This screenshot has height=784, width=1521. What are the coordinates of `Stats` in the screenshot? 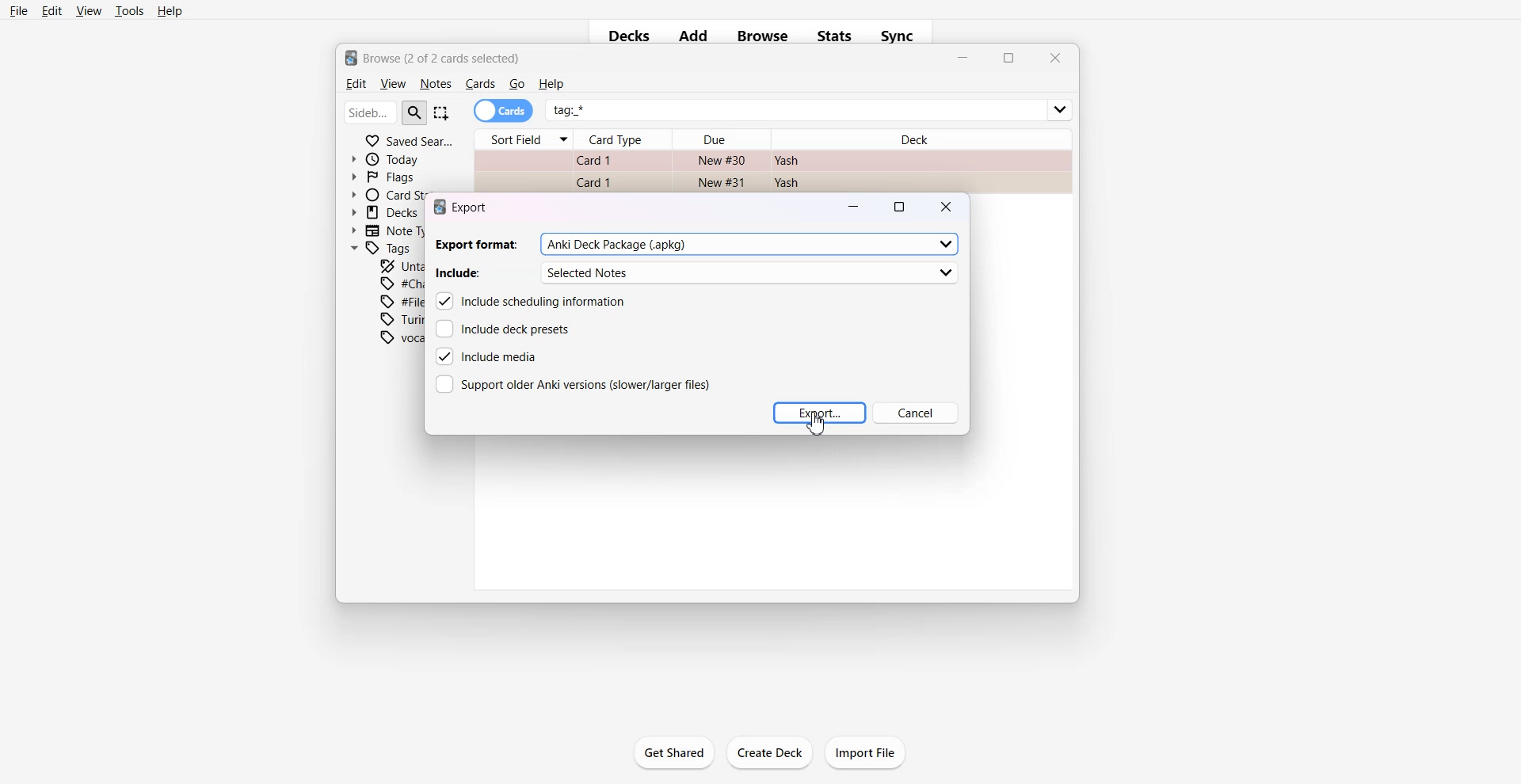 It's located at (837, 36).